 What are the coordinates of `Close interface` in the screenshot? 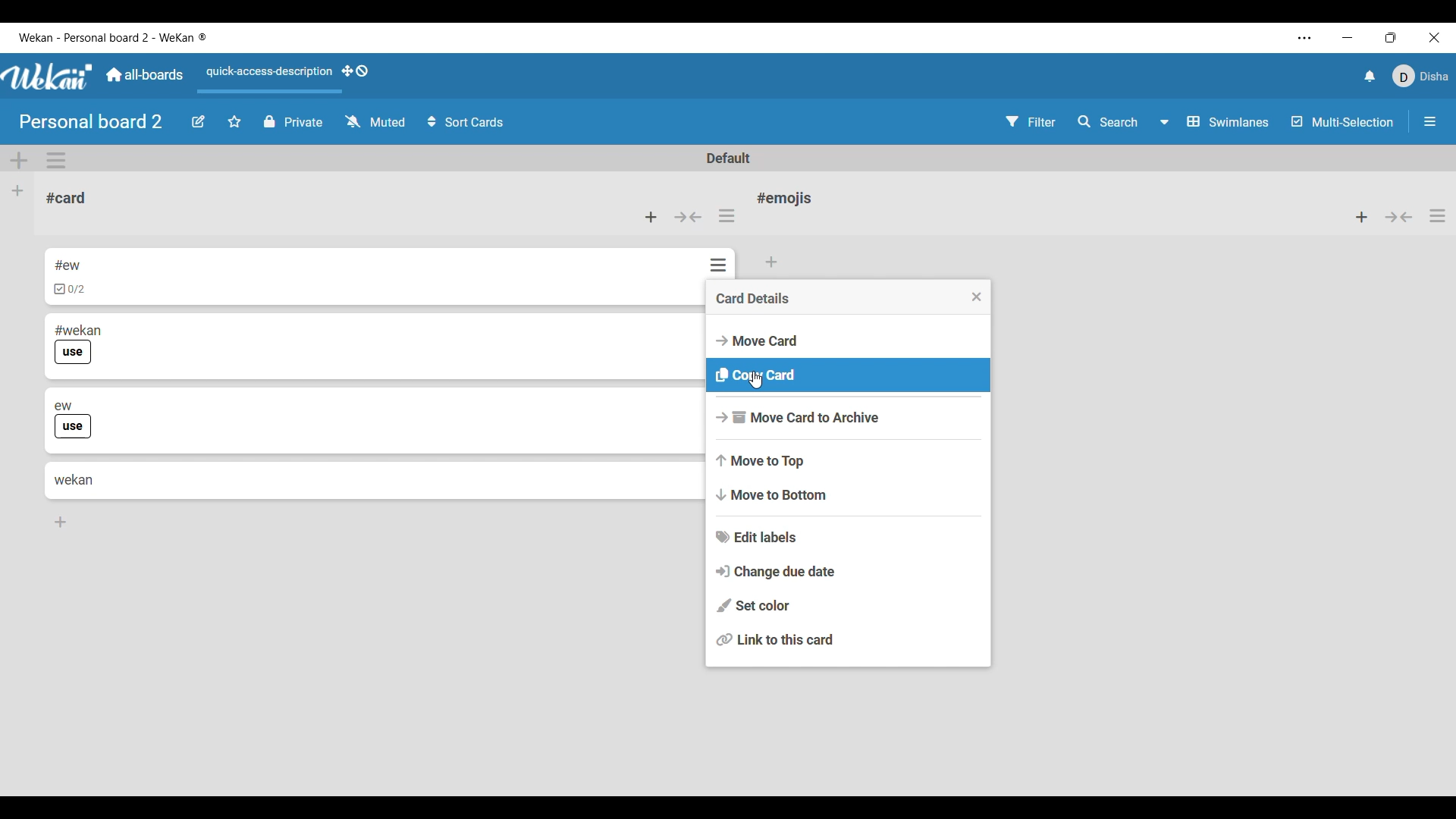 It's located at (1435, 37).